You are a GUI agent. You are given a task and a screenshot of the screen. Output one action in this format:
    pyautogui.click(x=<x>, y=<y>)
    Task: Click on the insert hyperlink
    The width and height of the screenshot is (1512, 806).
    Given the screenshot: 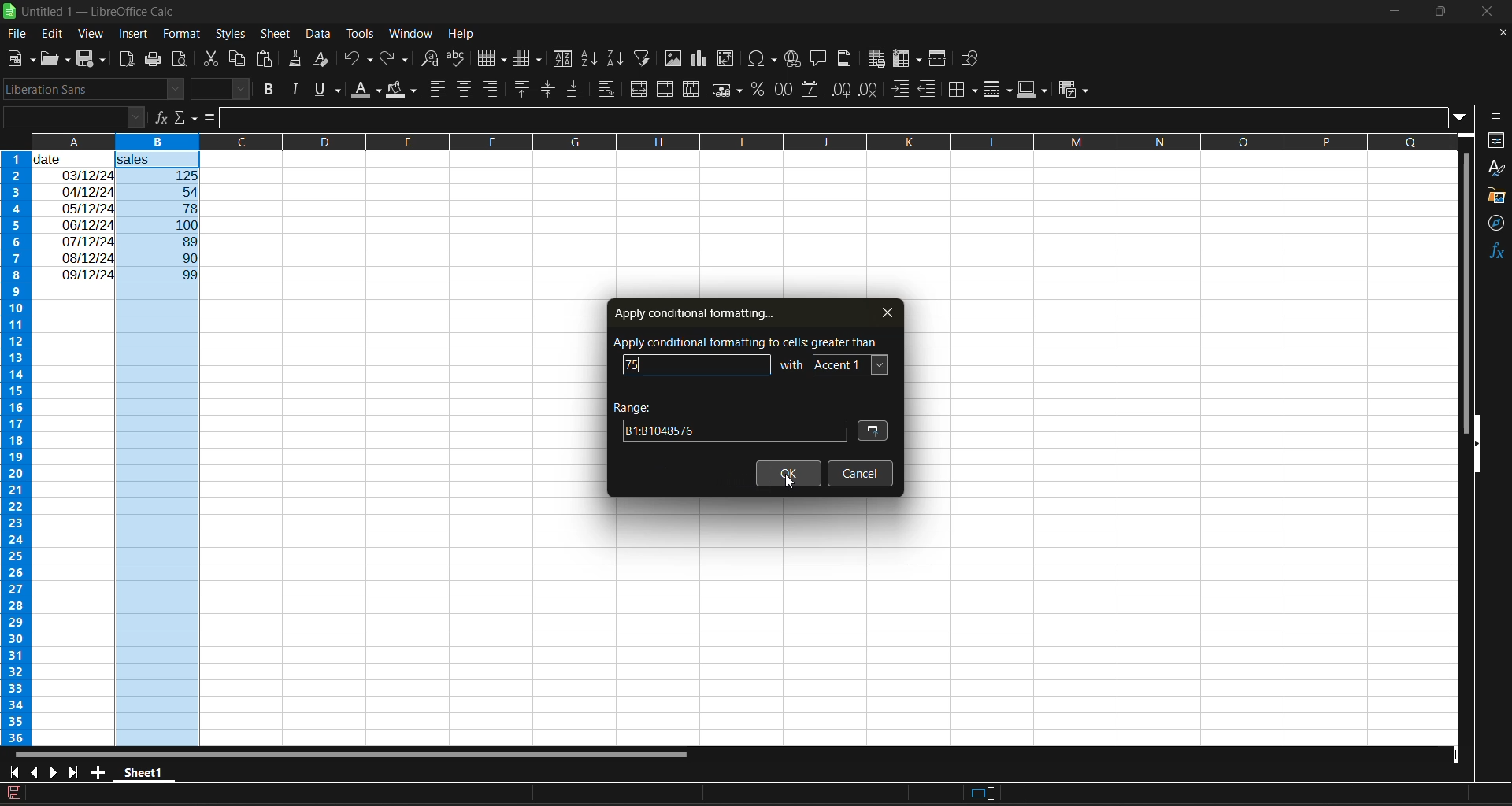 What is the action you would take?
    pyautogui.click(x=794, y=60)
    